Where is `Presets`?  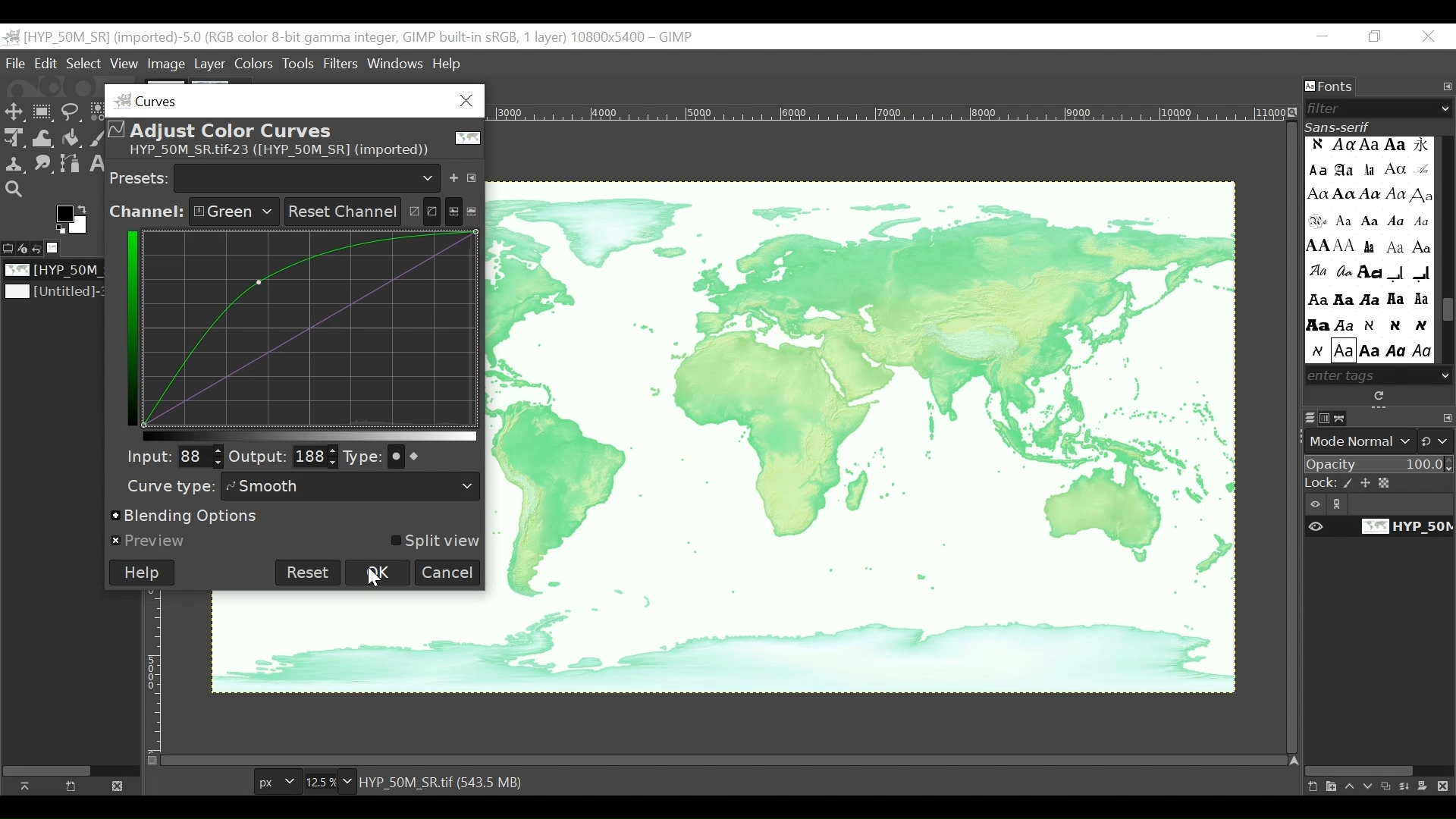
Presets is located at coordinates (140, 177).